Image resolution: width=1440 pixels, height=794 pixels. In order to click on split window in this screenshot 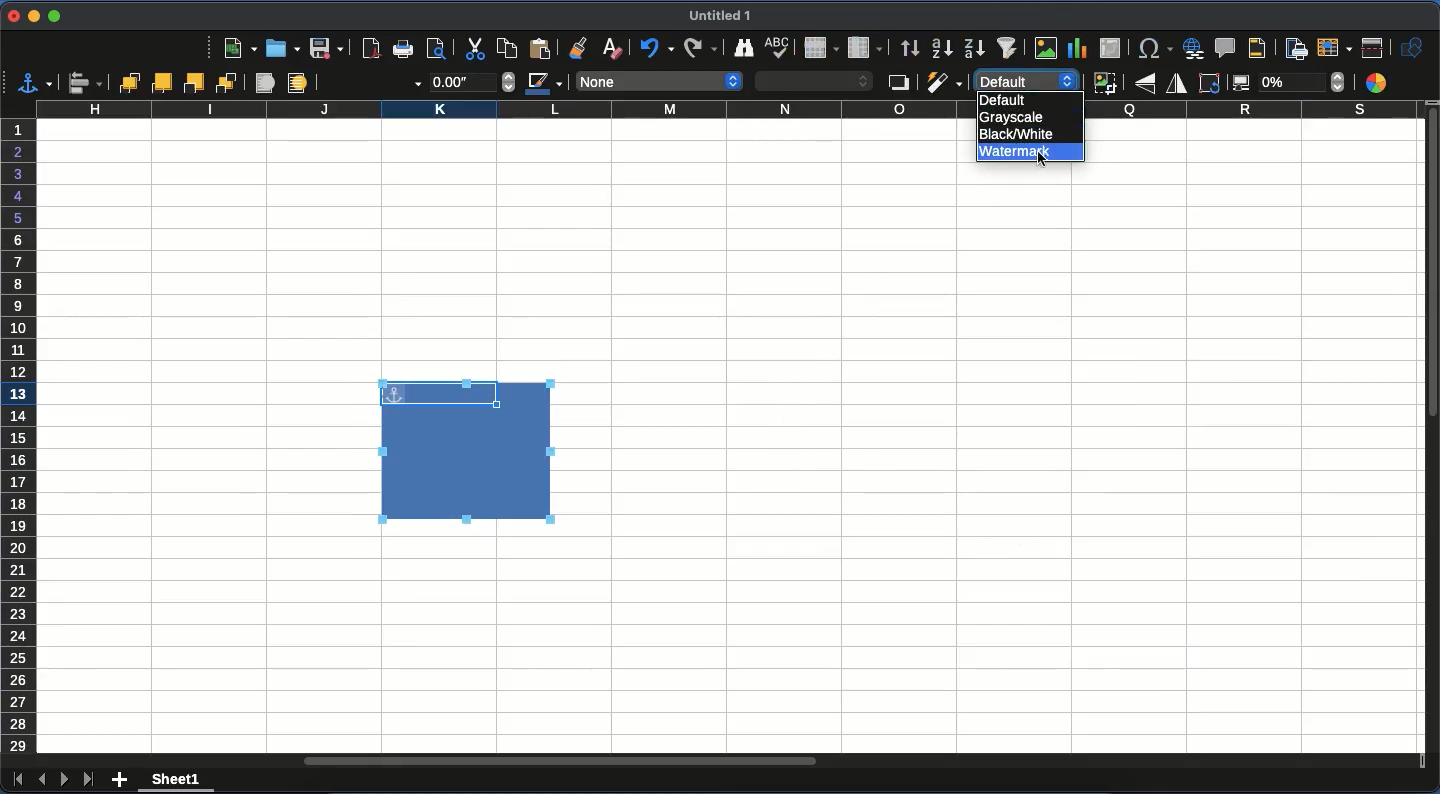, I will do `click(1372, 49)`.